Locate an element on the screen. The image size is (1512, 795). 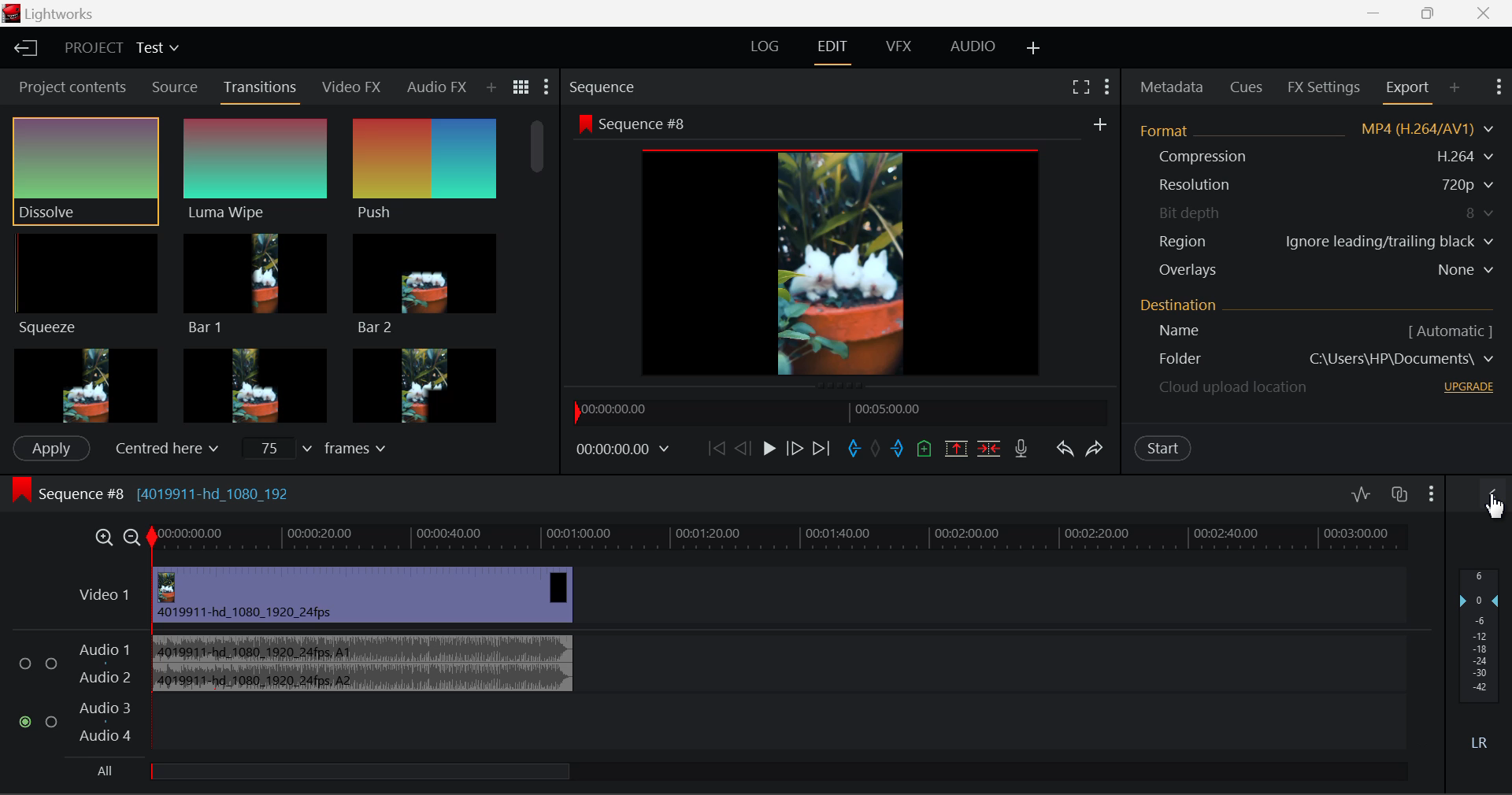
Centered here is located at coordinates (162, 448).